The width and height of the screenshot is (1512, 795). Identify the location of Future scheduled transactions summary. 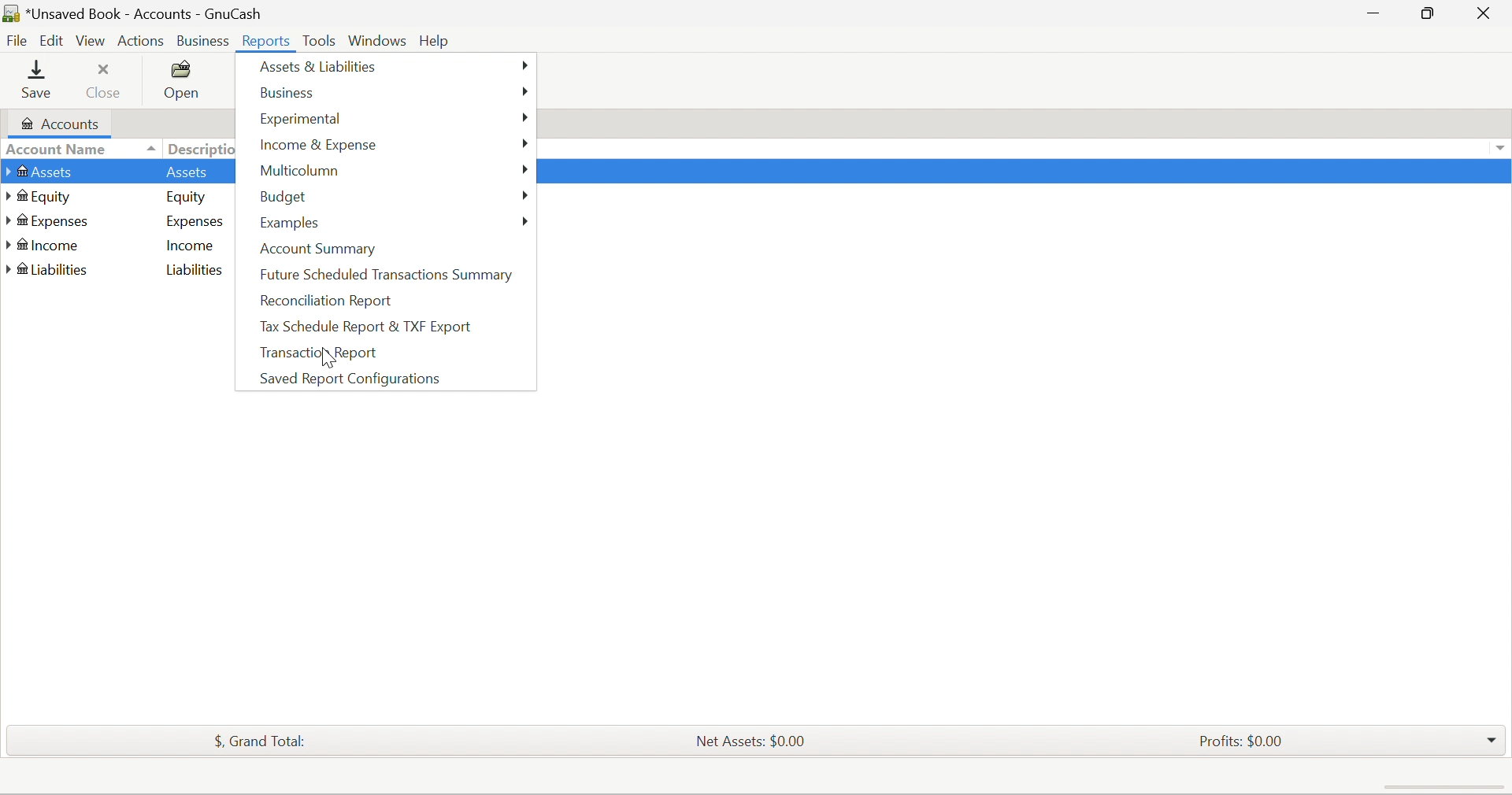
(387, 274).